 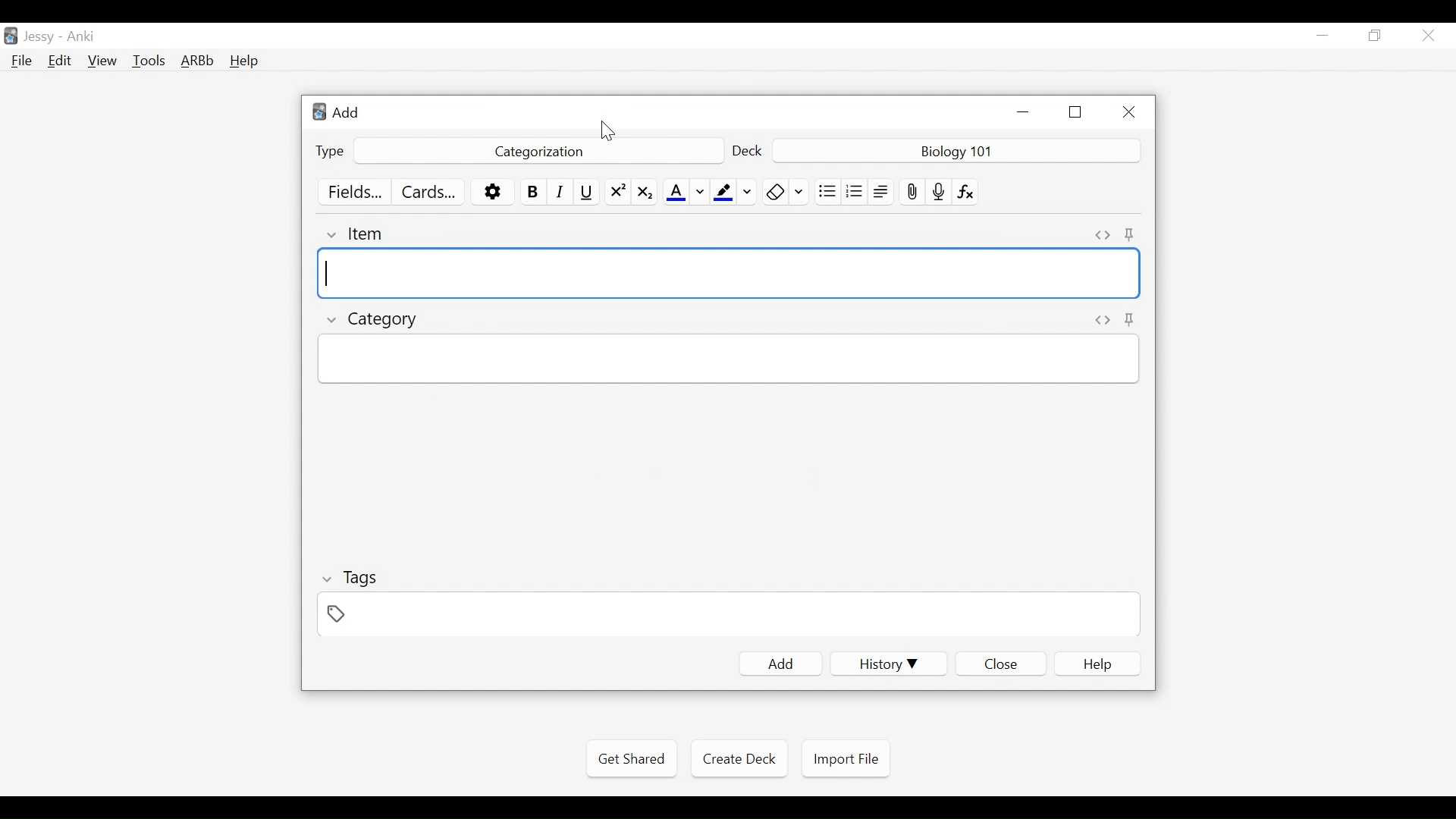 What do you see at coordinates (786, 192) in the screenshot?
I see `Remove Formatting` at bounding box center [786, 192].